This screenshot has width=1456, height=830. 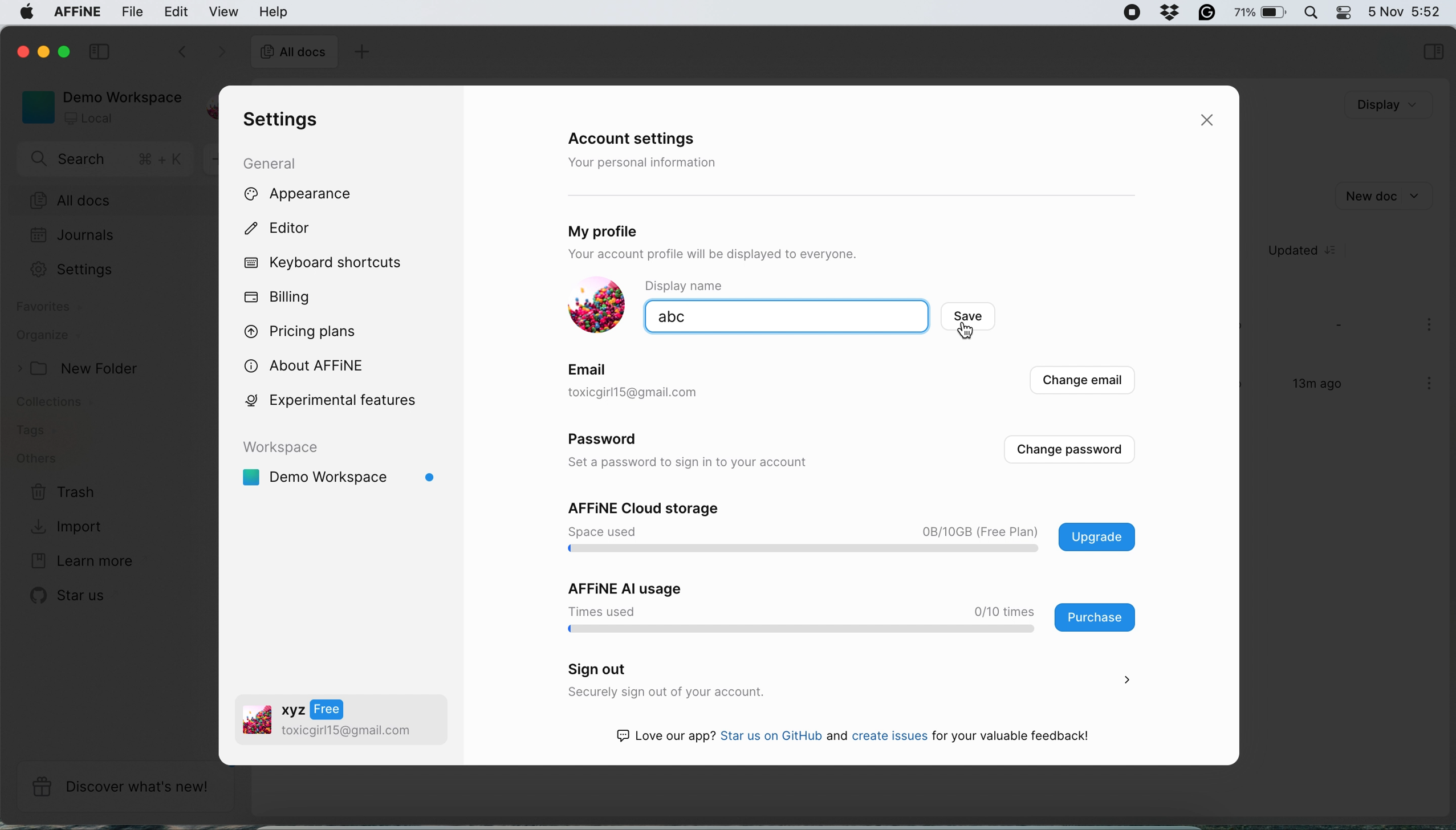 What do you see at coordinates (864, 738) in the screenshot?
I see `Love our app? Star us on GitHub and create issues for your valuable feedback!` at bounding box center [864, 738].